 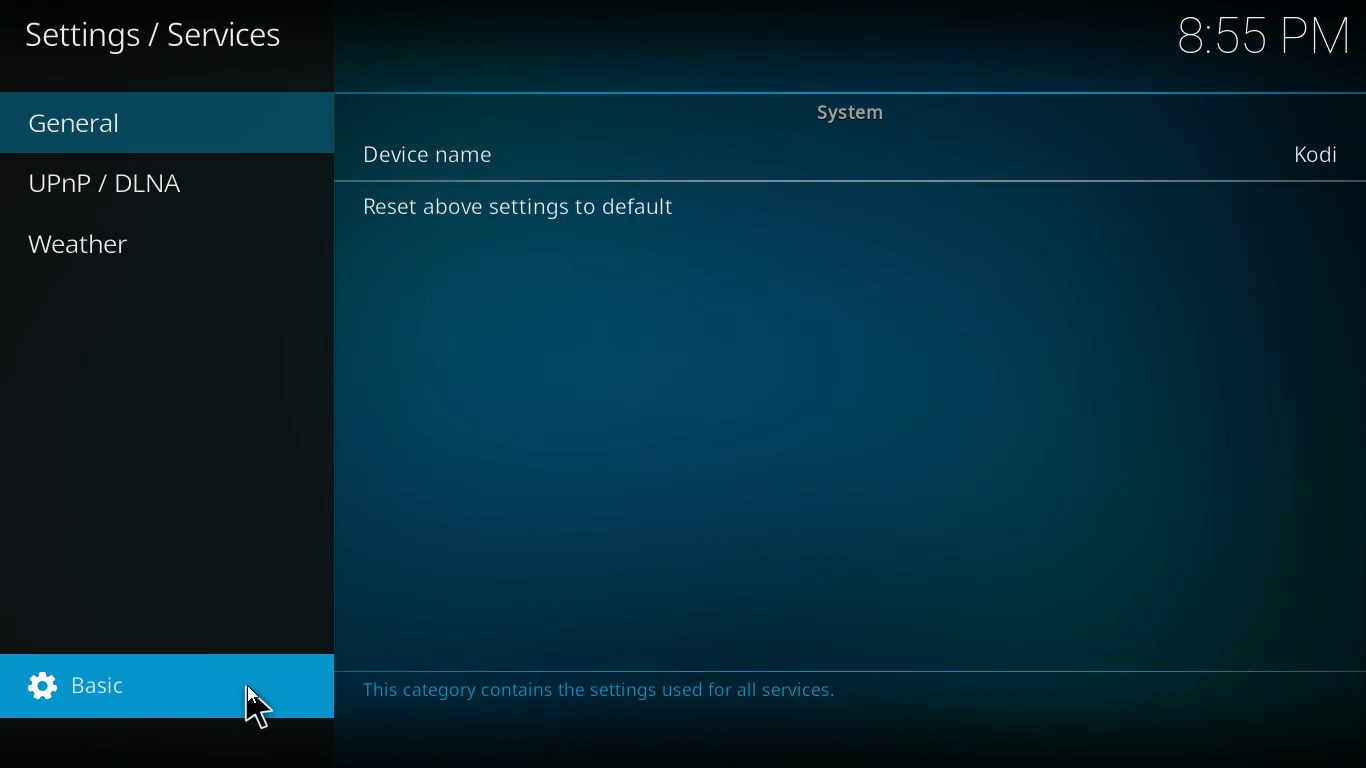 I want to click on Time - 8:55PM, so click(x=1262, y=34).